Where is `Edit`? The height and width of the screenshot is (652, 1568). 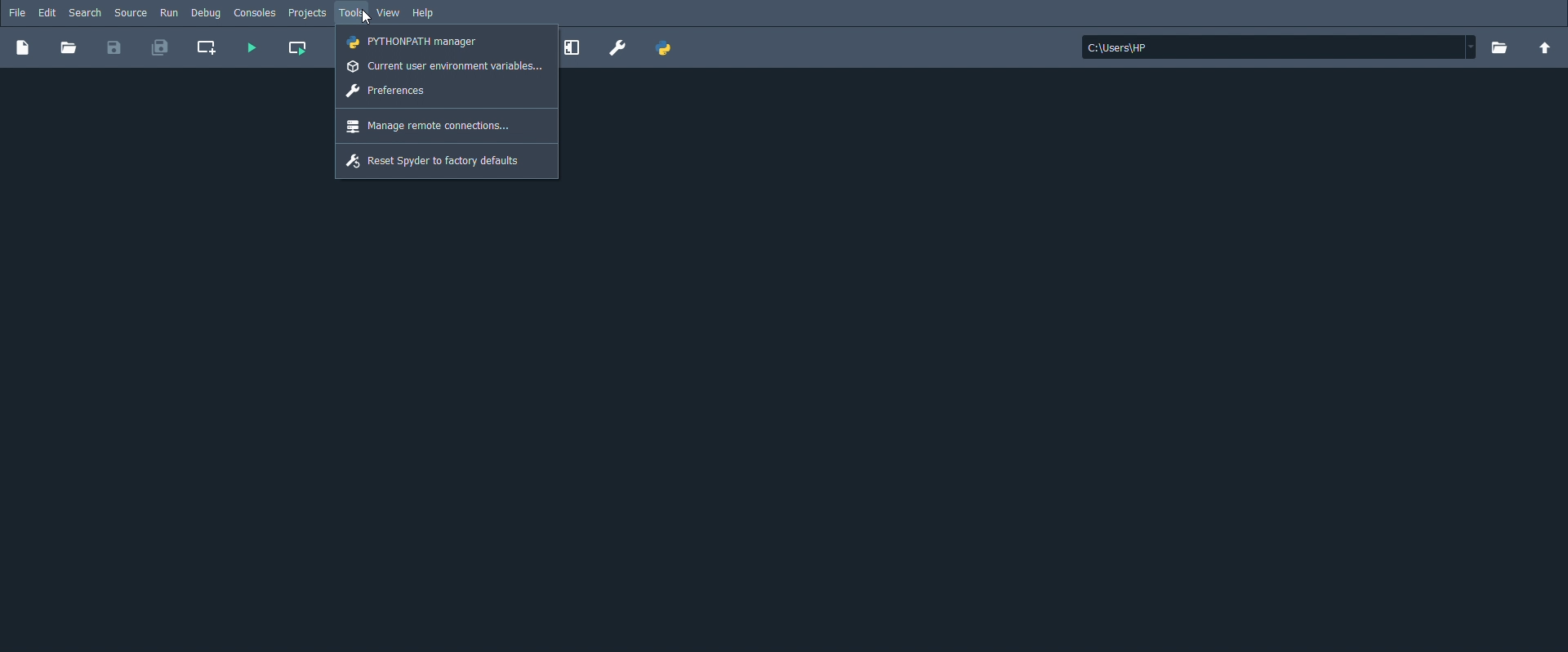
Edit is located at coordinates (47, 12).